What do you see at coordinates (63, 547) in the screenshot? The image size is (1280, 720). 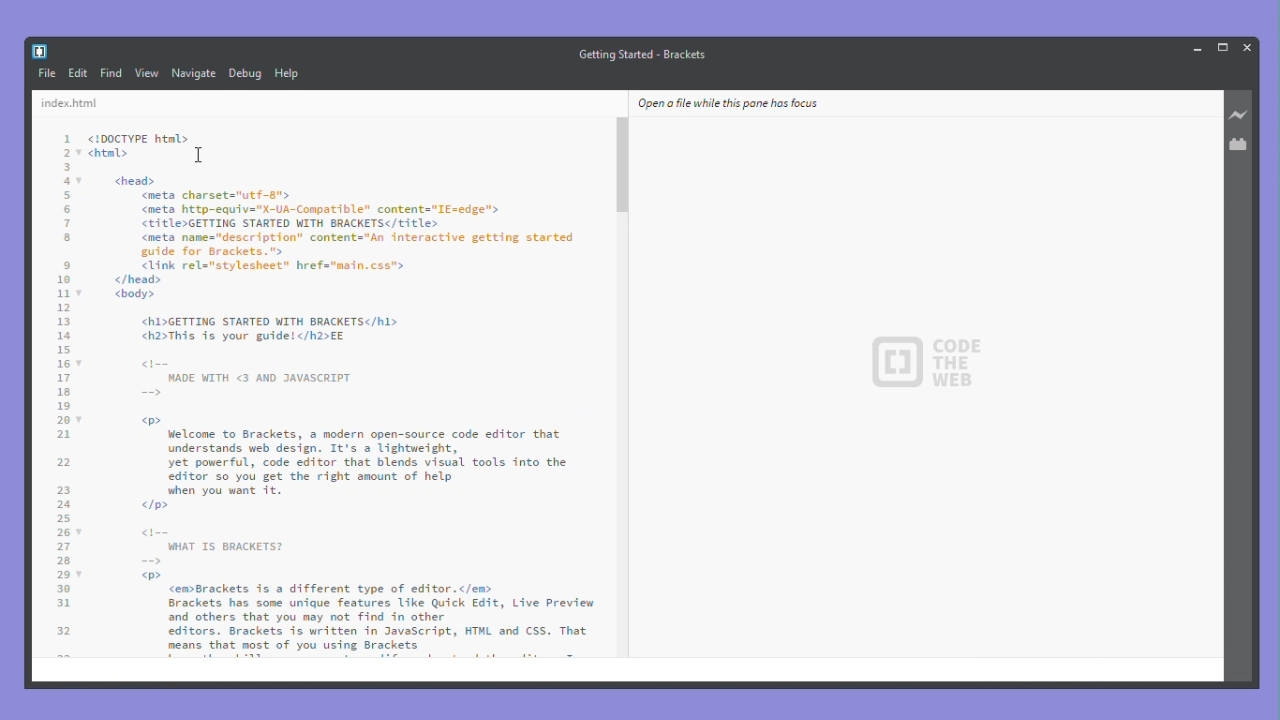 I see `27` at bounding box center [63, 547].